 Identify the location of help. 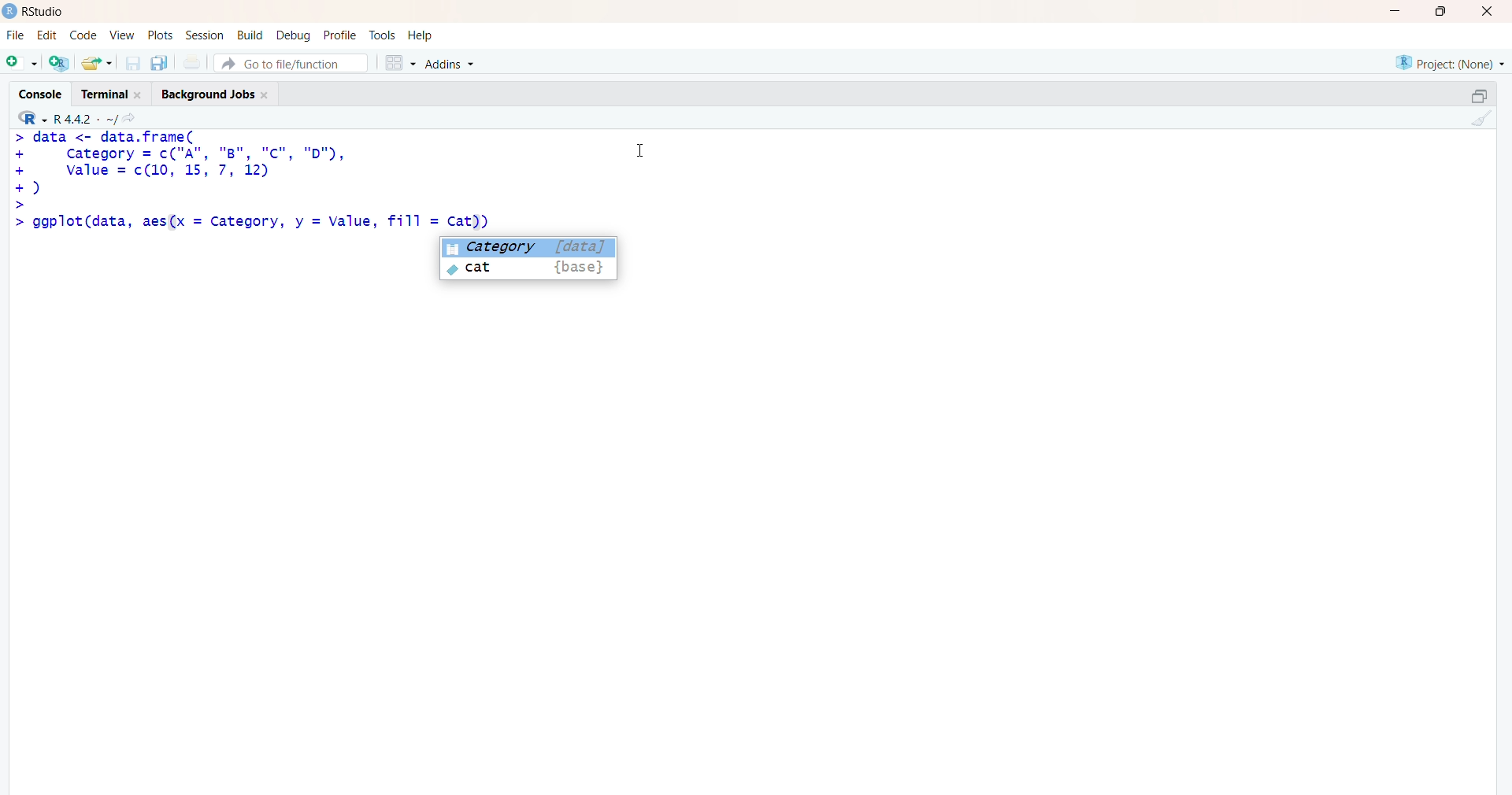
(423, 35).